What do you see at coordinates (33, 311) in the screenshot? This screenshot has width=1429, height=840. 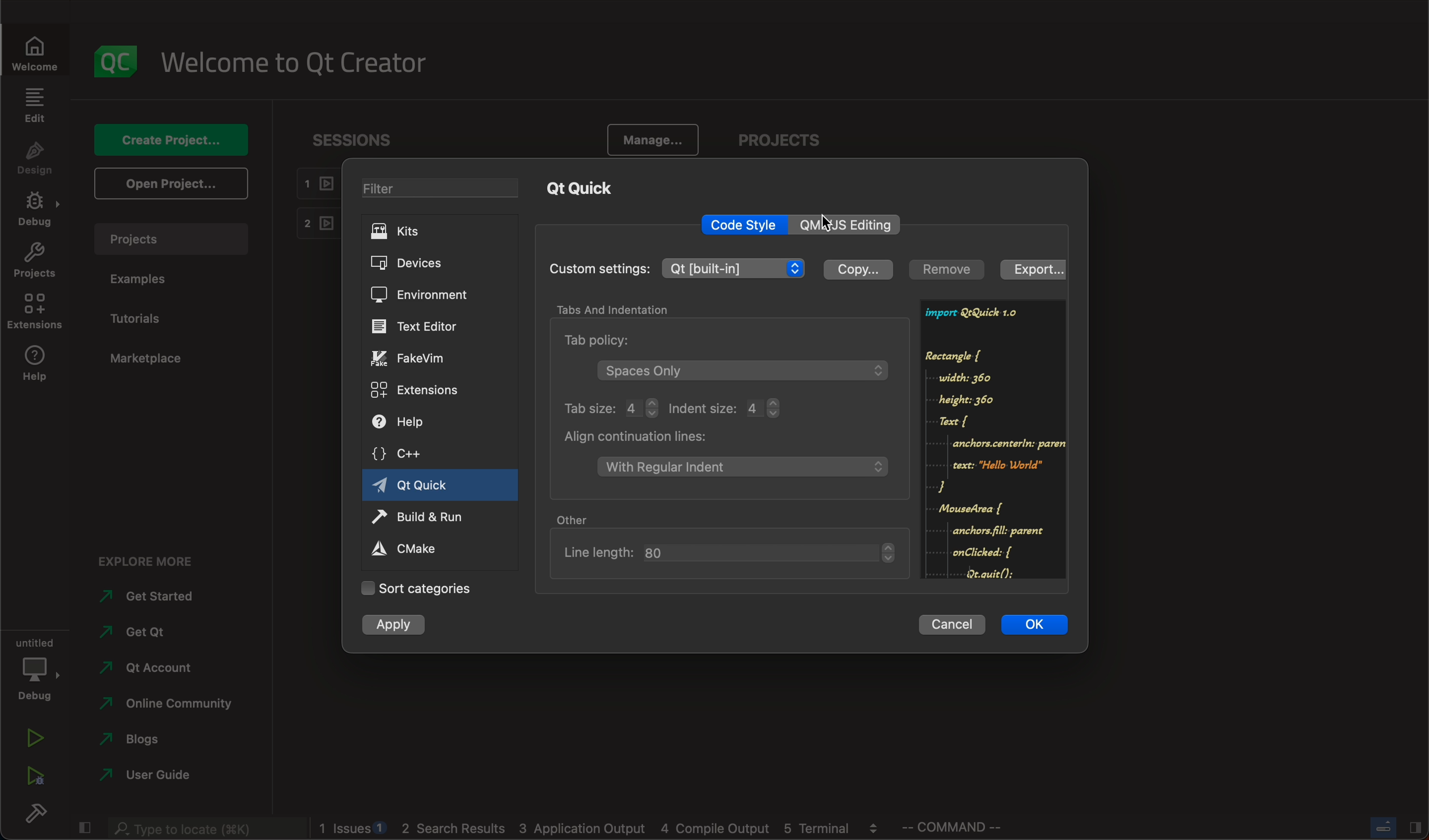 I see `extensions` at bounding box center [33, 311].